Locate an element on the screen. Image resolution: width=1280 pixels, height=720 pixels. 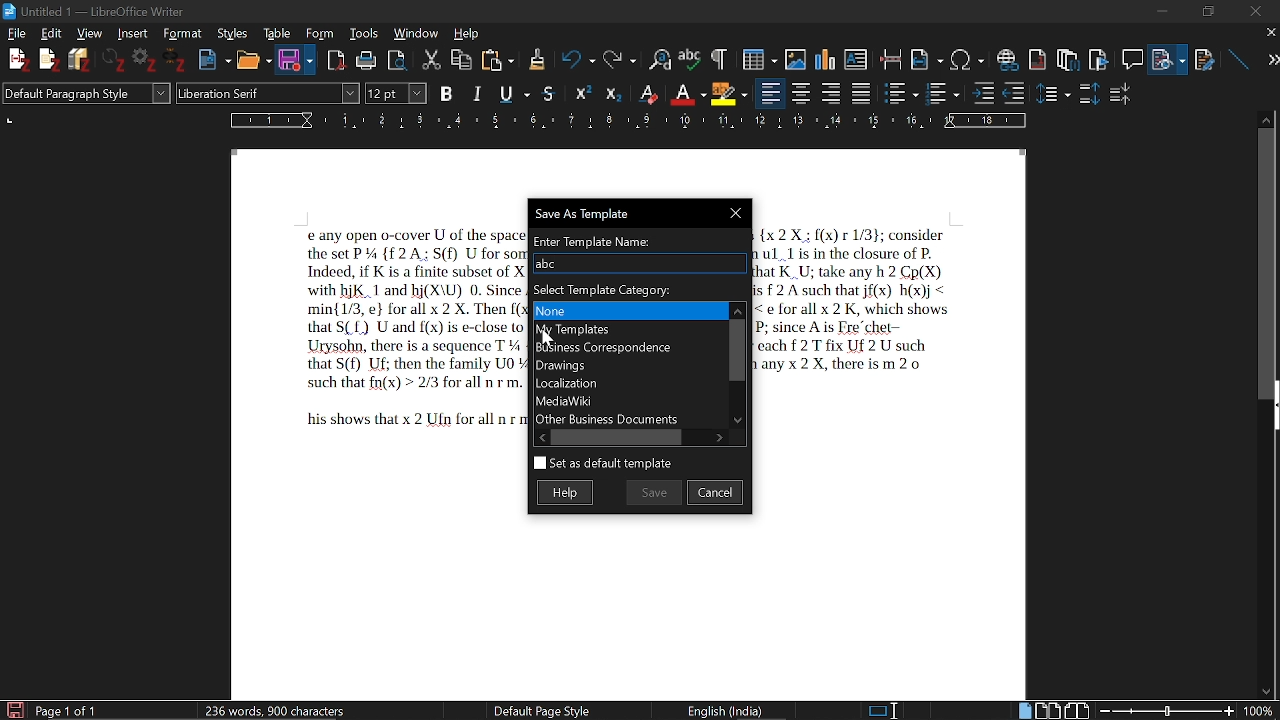
Move up is located at coordinates (737, 308).